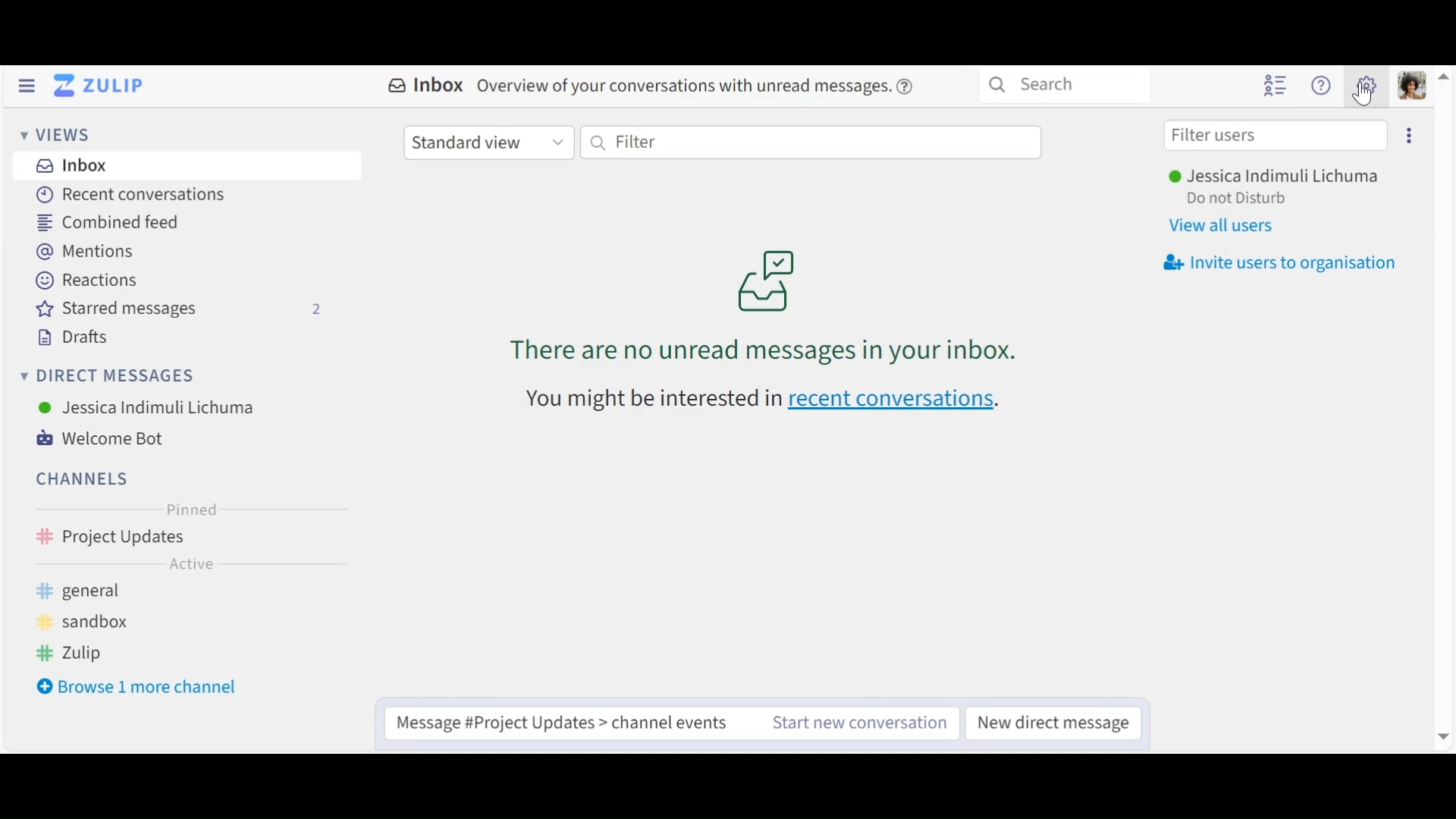 This screenshot has height=819, width=1456. Describe the element at coordinates (862, 720) in the screenshot. I see `Start new conversations` at that location.